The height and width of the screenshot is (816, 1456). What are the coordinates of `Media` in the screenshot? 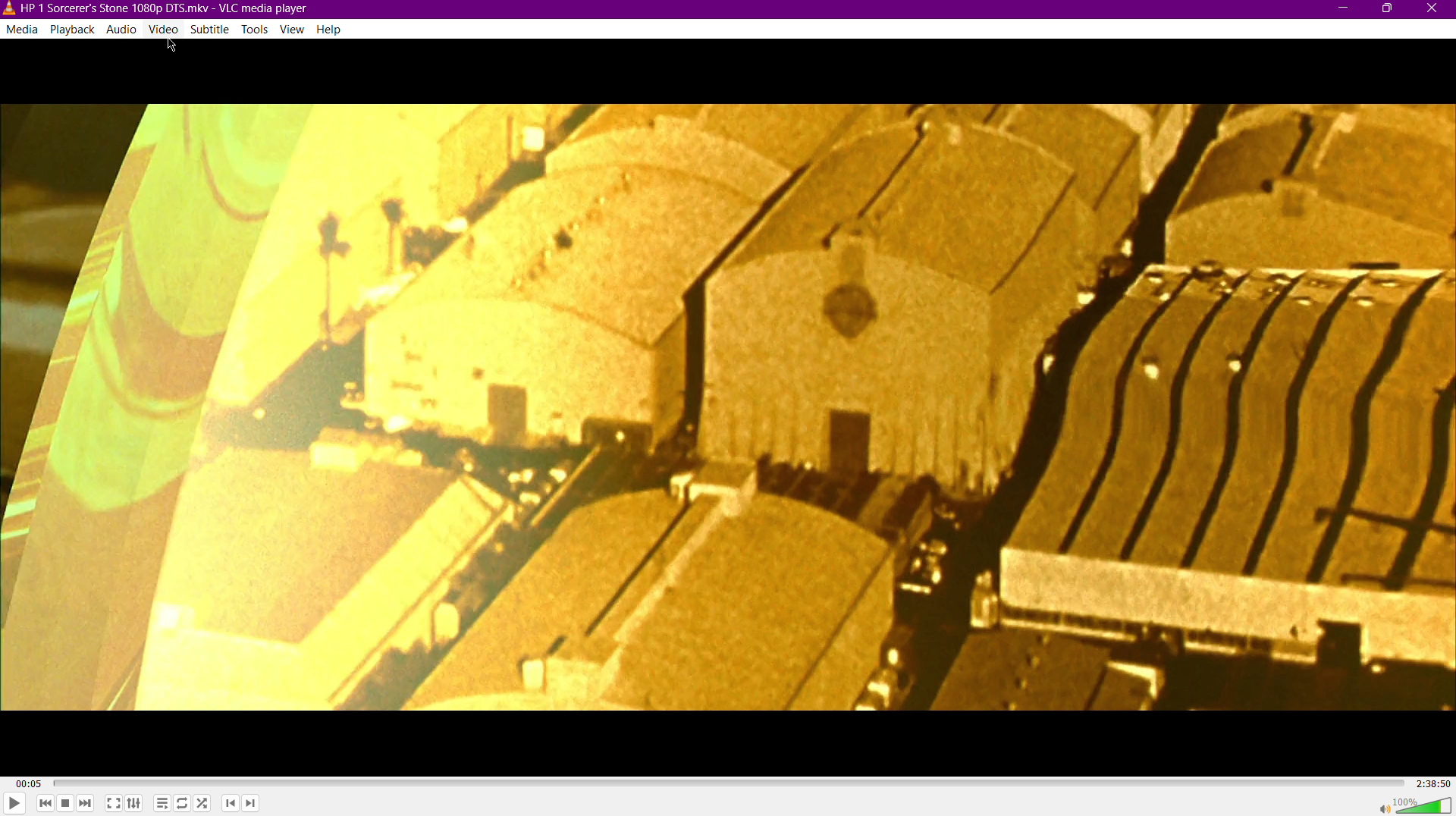 It's located at (21, 30).